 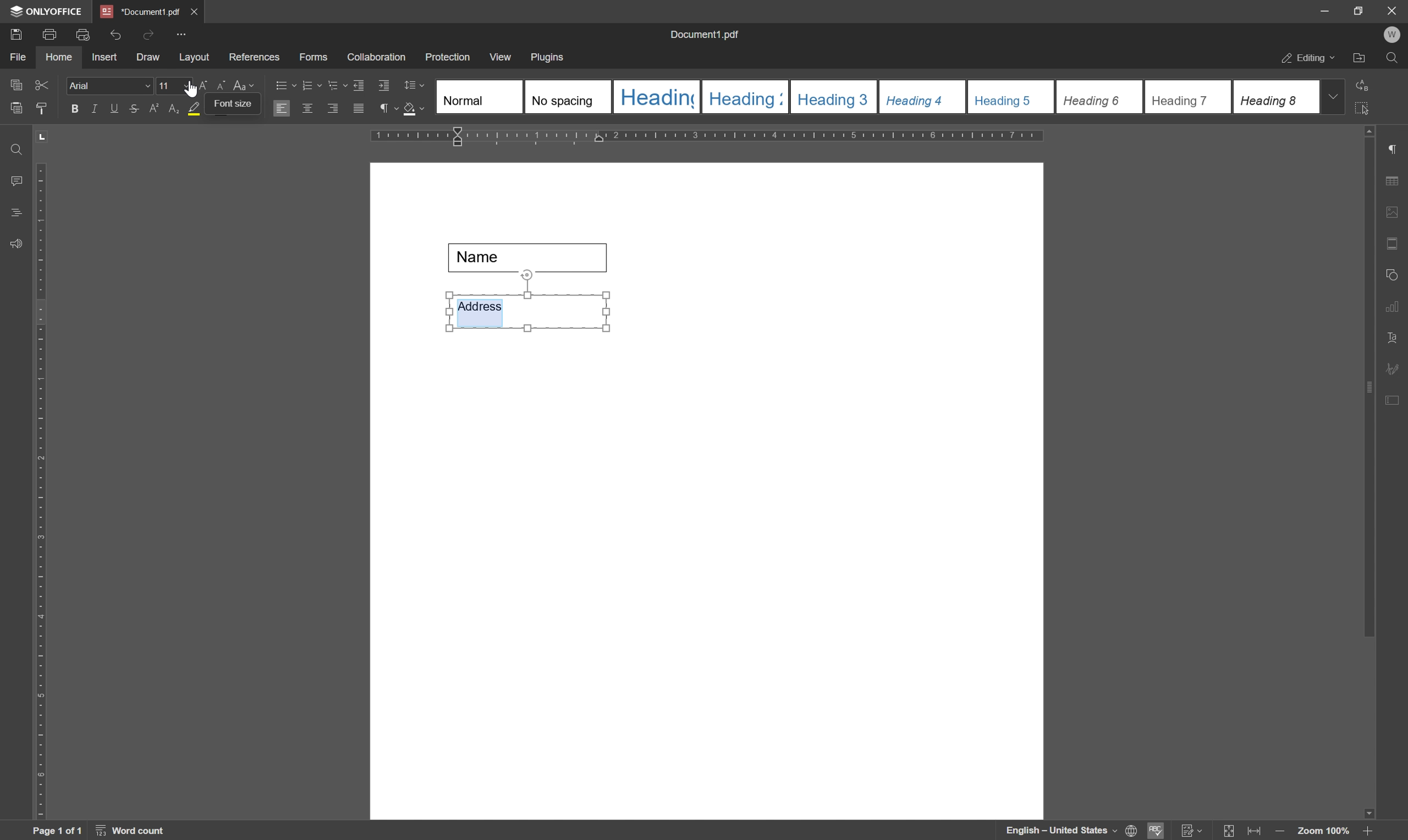 What do you see at coordinates (15, 33) in the screenshot?
I see `save` at bounding box center [15, 33].